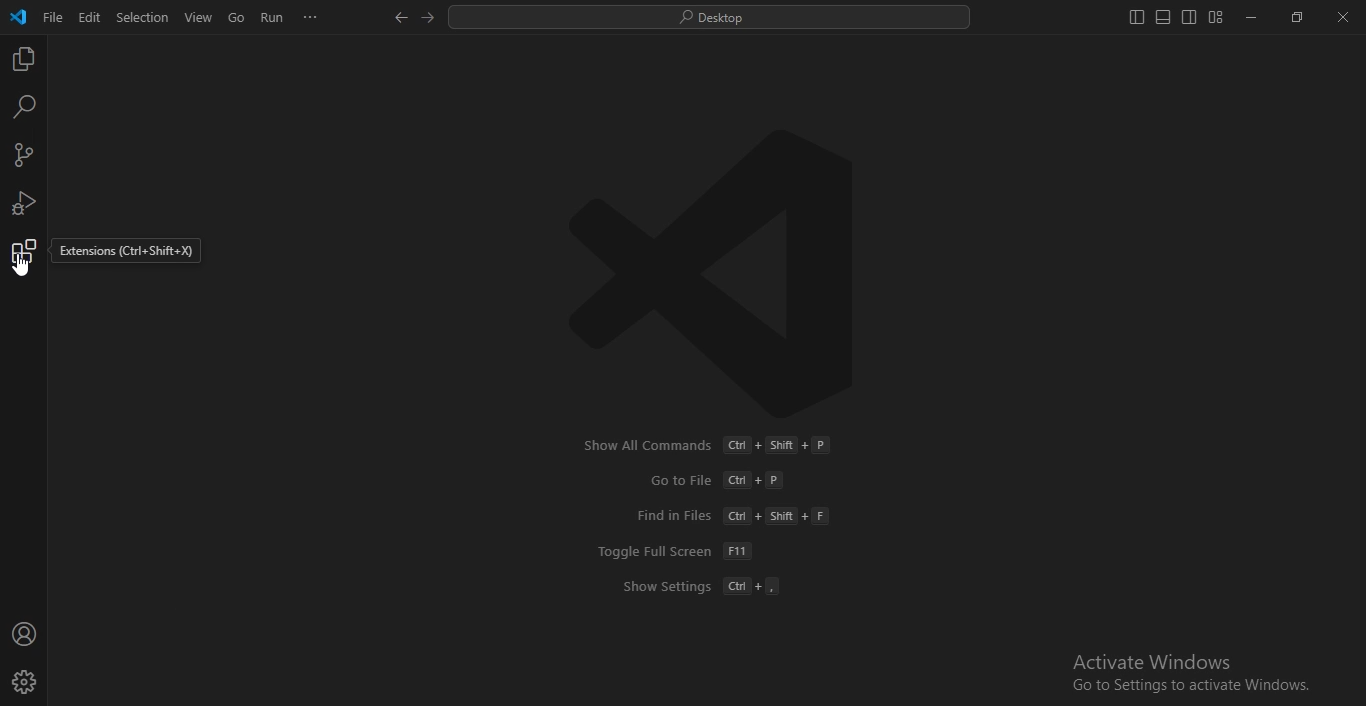  I want to click on go, so click(233, 18).